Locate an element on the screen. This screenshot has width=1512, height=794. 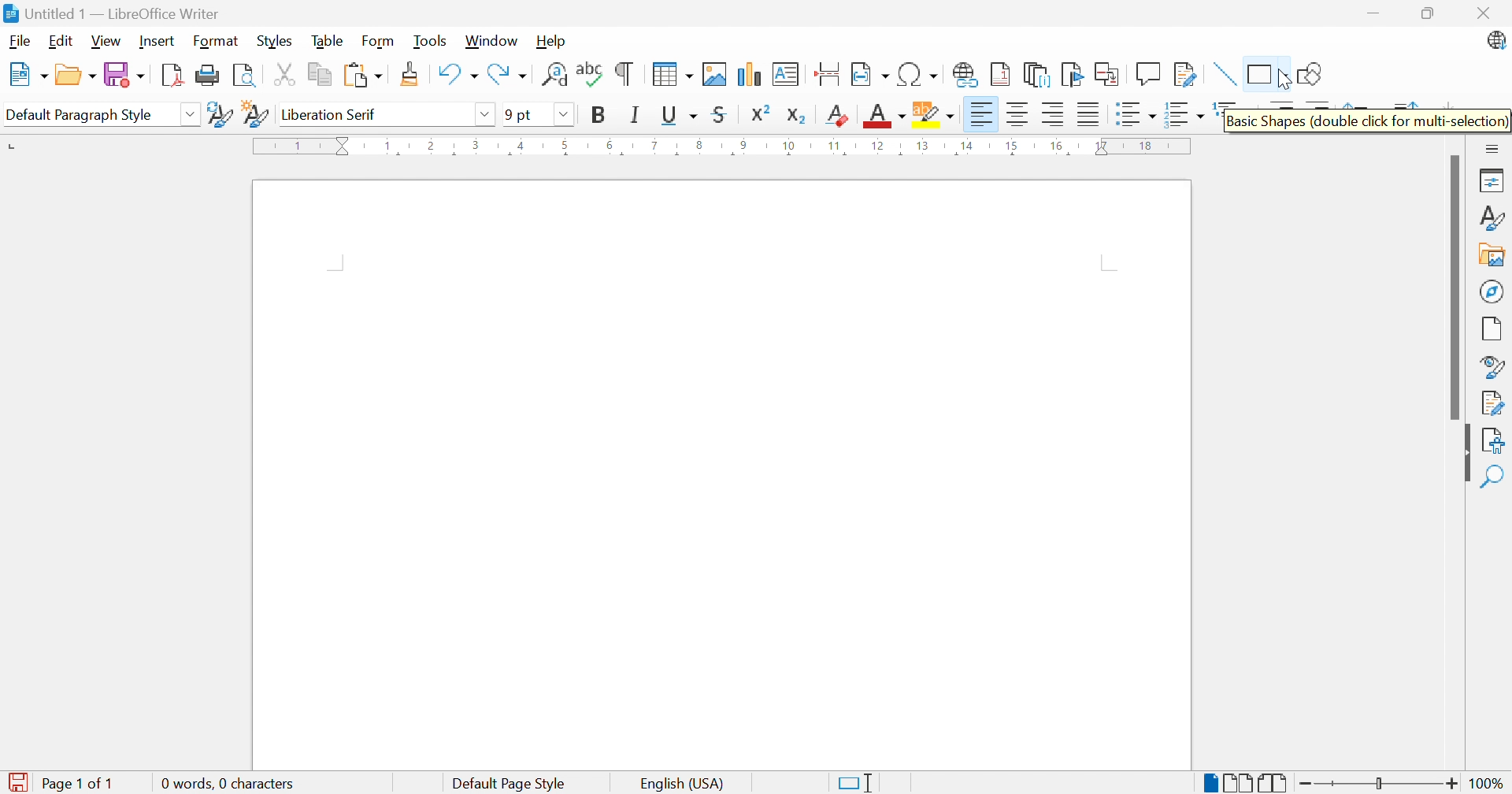
Accessibility check is located at coordinates (1492, 441).